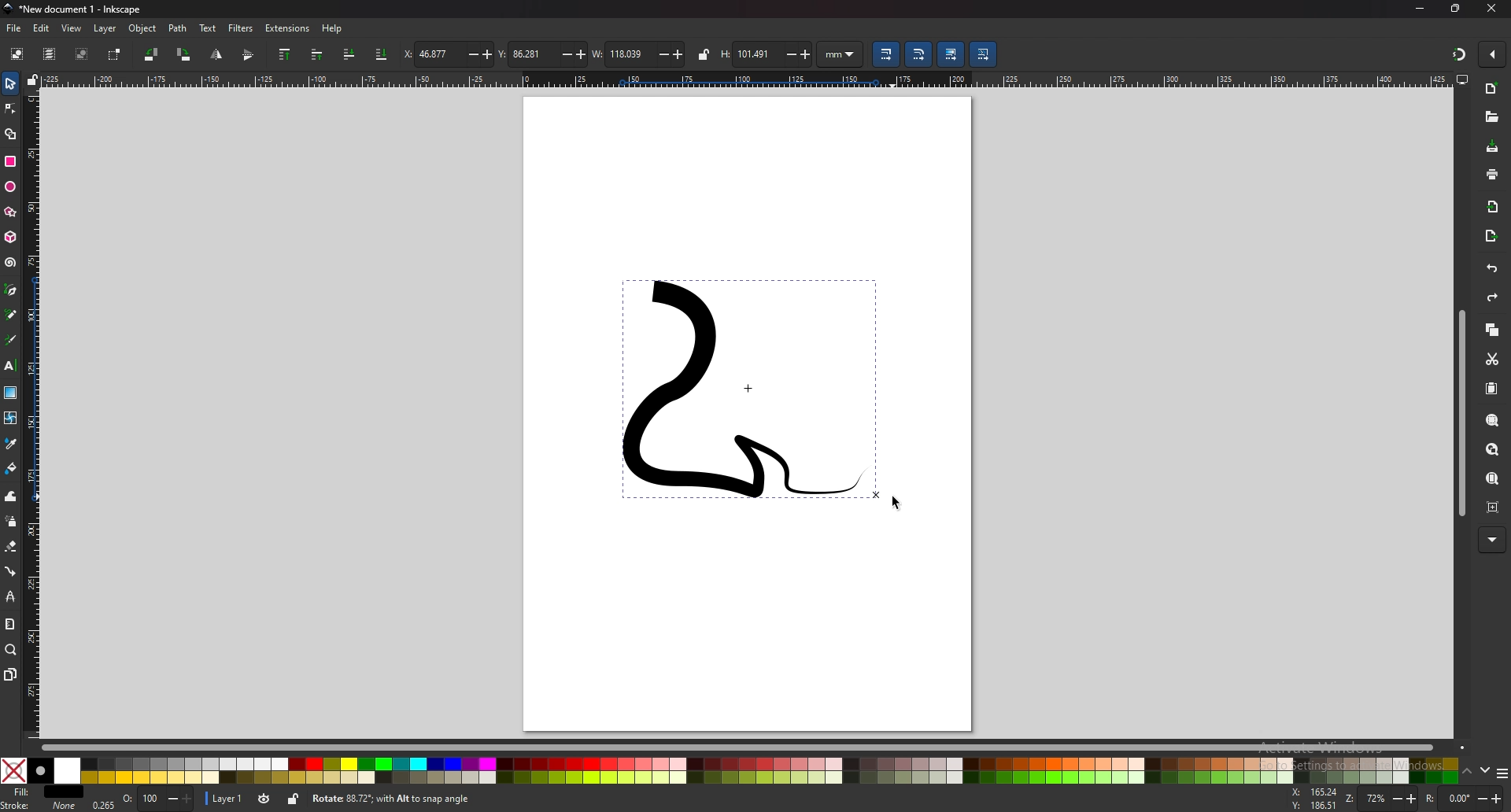  I want to click on lower selection one step, so click(349, 54).